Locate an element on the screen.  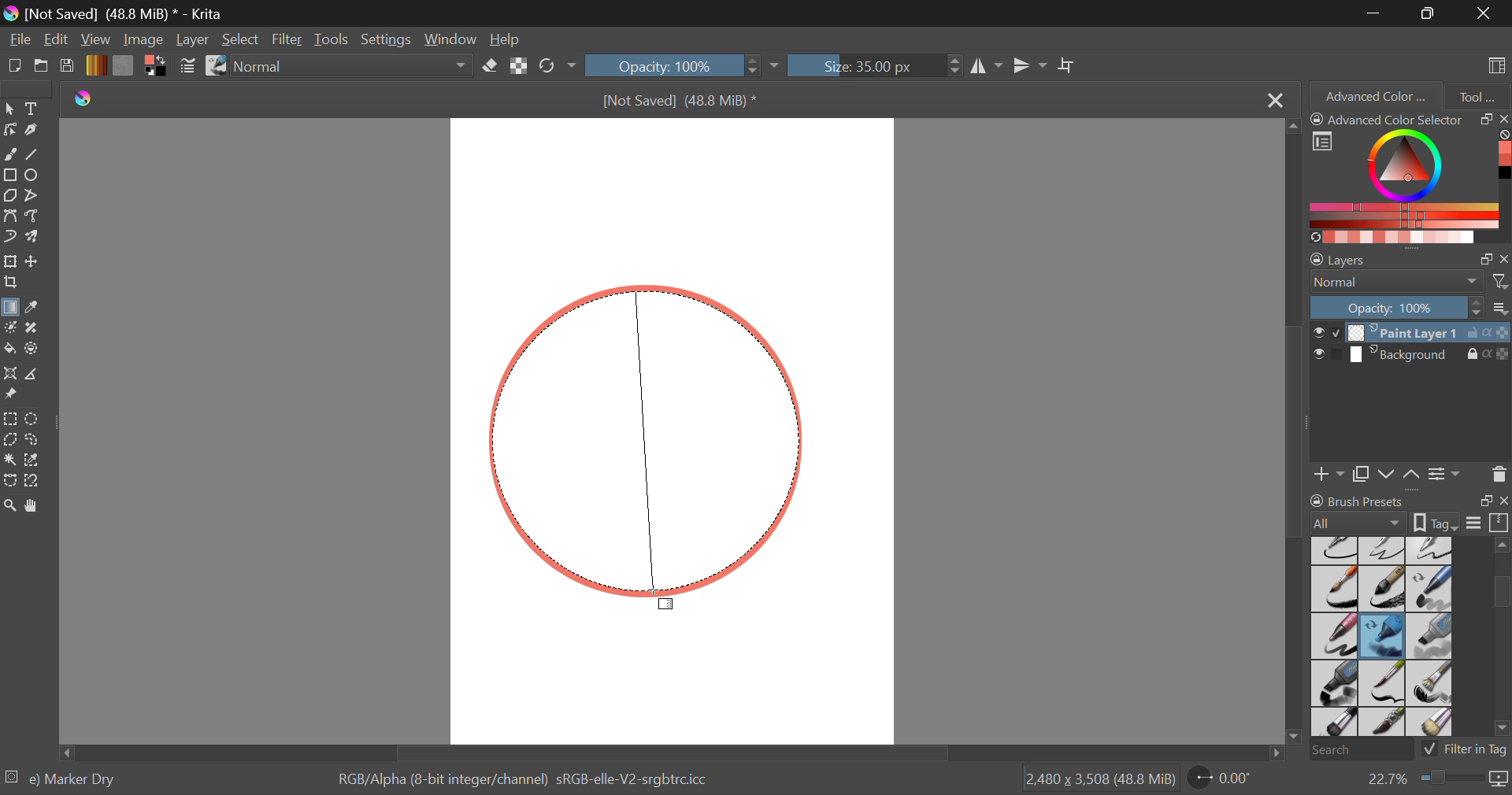
Dynamic Brush Tool is located at coordinates (9, 238).